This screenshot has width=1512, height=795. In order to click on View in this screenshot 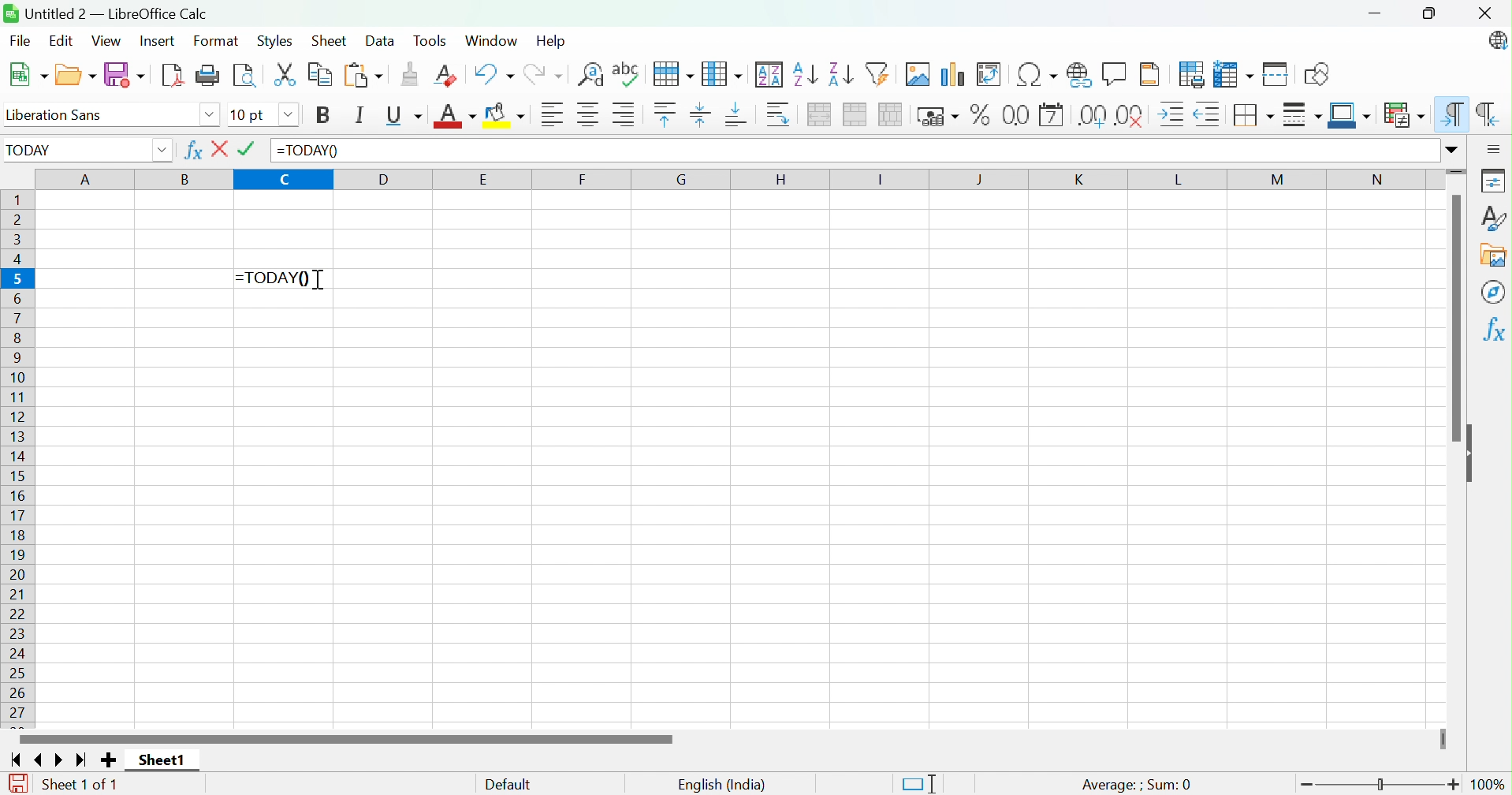, I will do `click(109, 41)`.